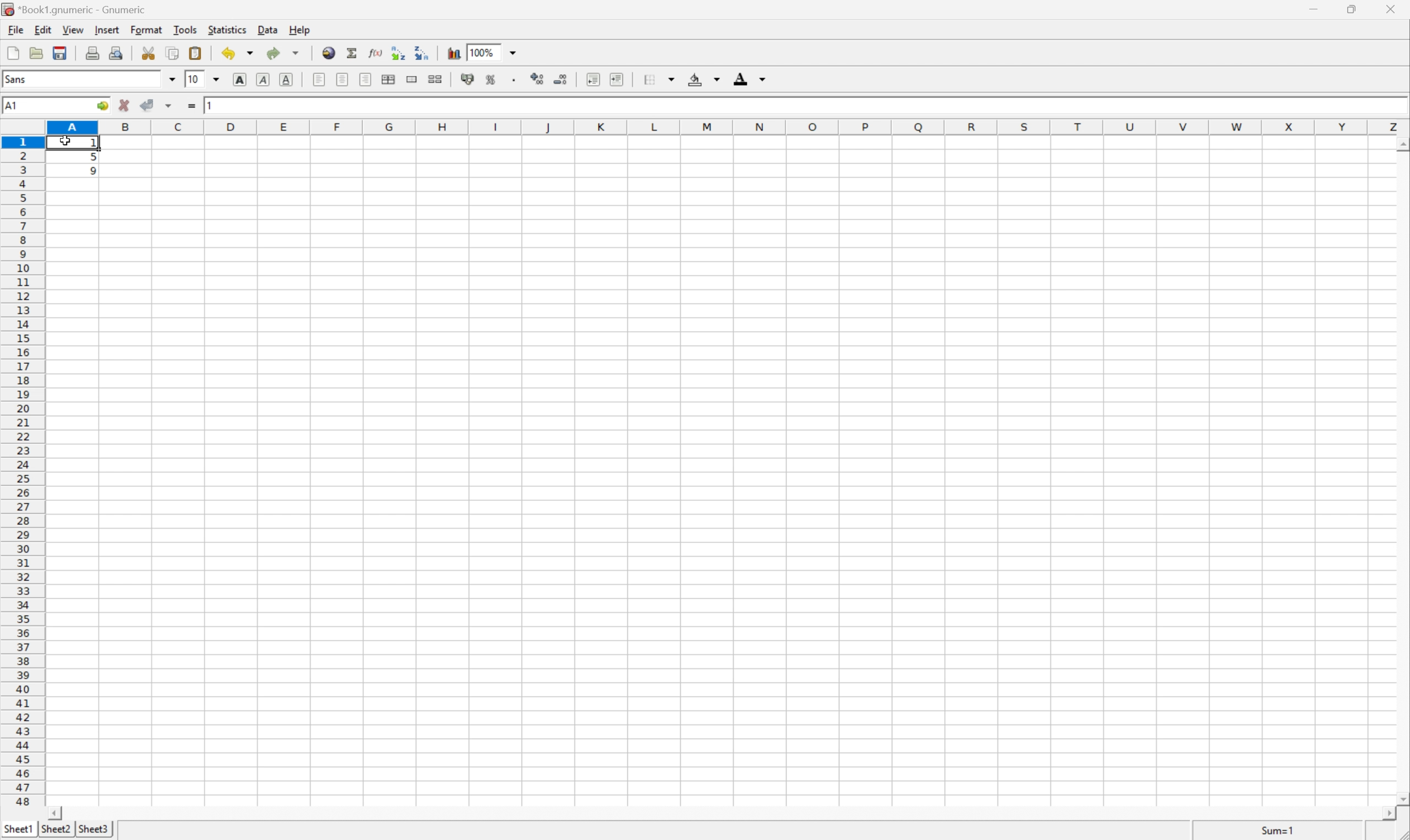 The image size is (1410, 840). What do you see at coordinates (481, 52) in the screenshot?
I see `100%` at bounding box center [481, 52].